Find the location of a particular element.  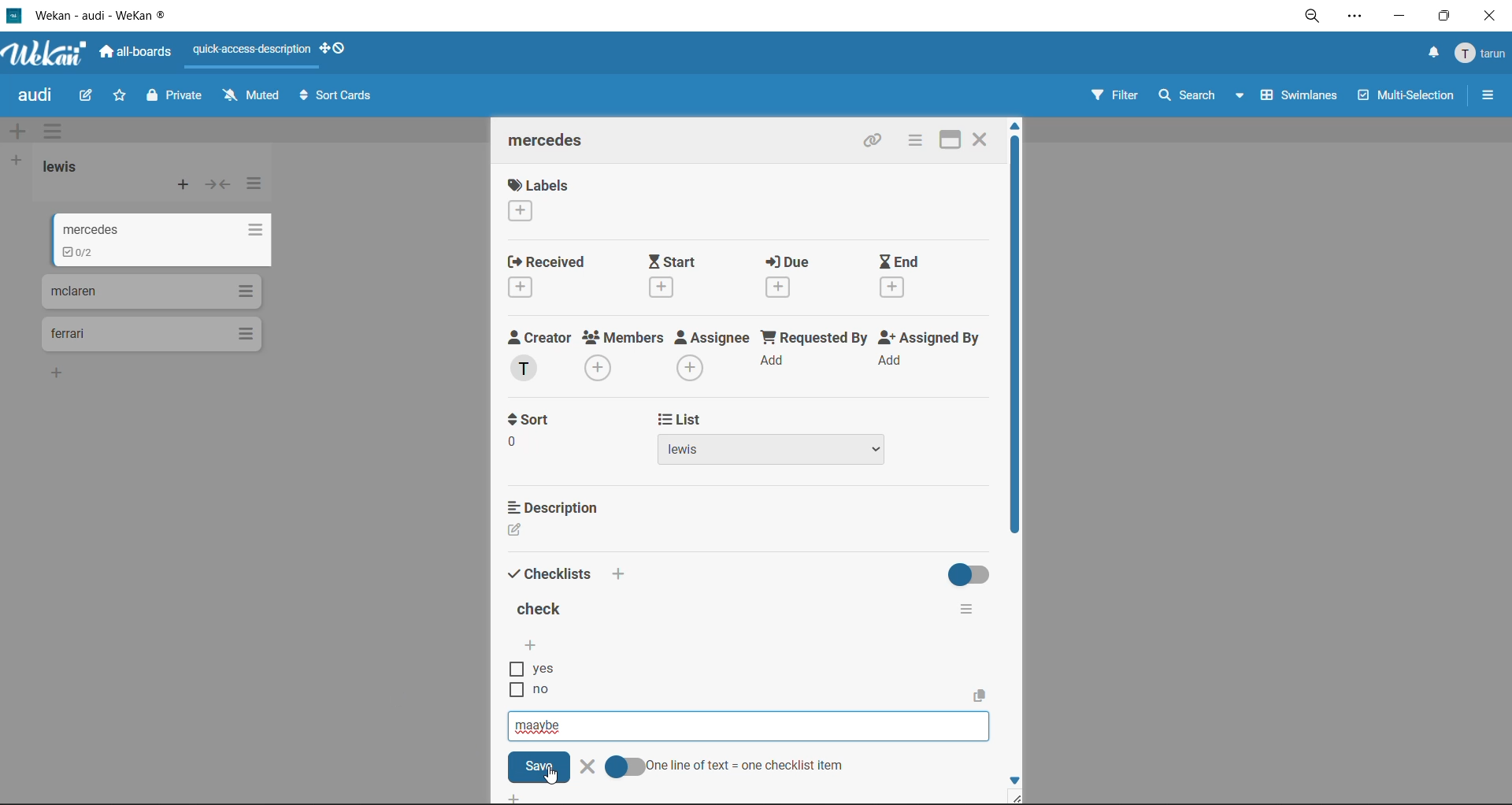

Add Label is located at coordinates (520, 212).